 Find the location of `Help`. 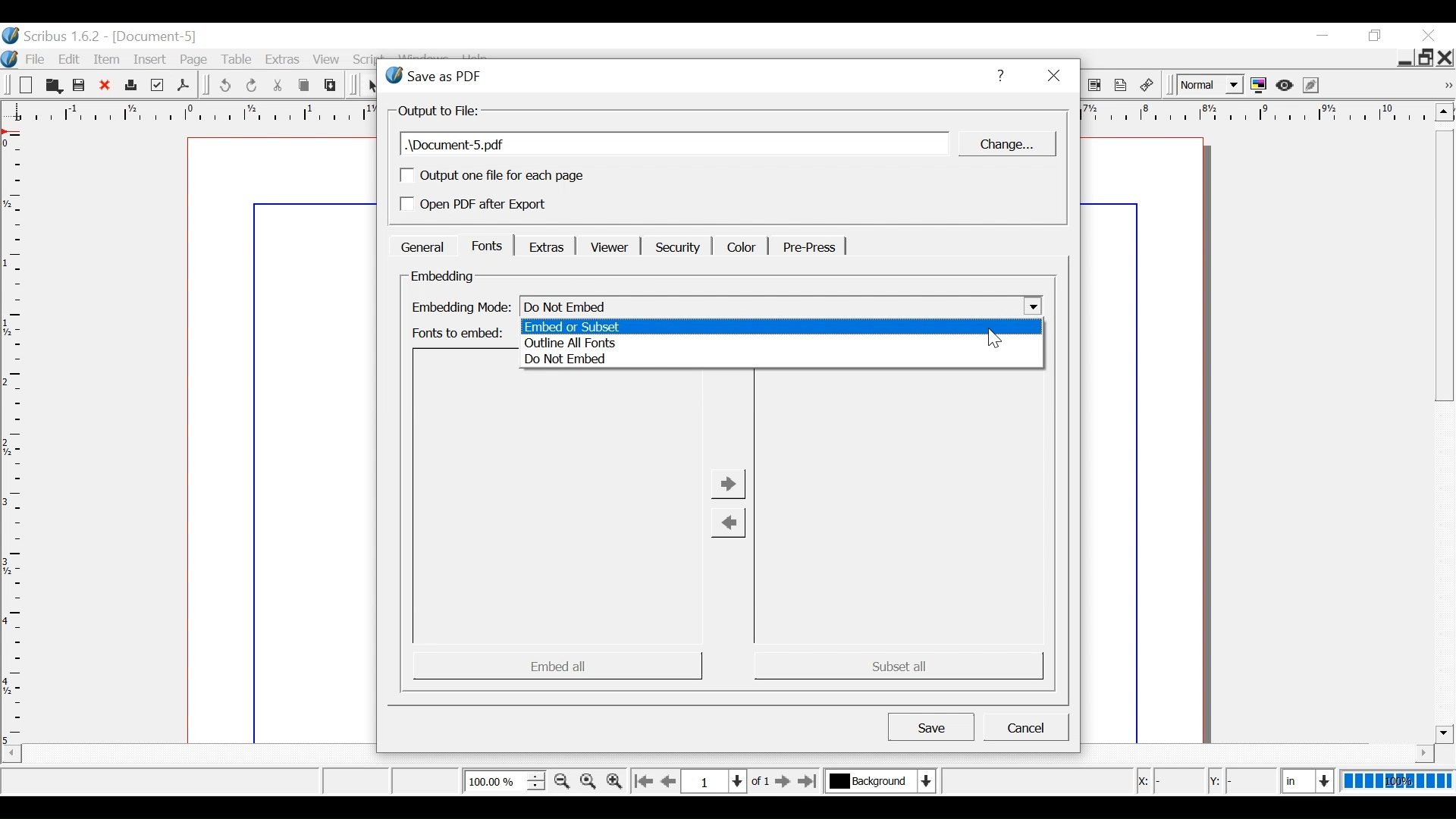

Help is located at coordinates (999, 75).